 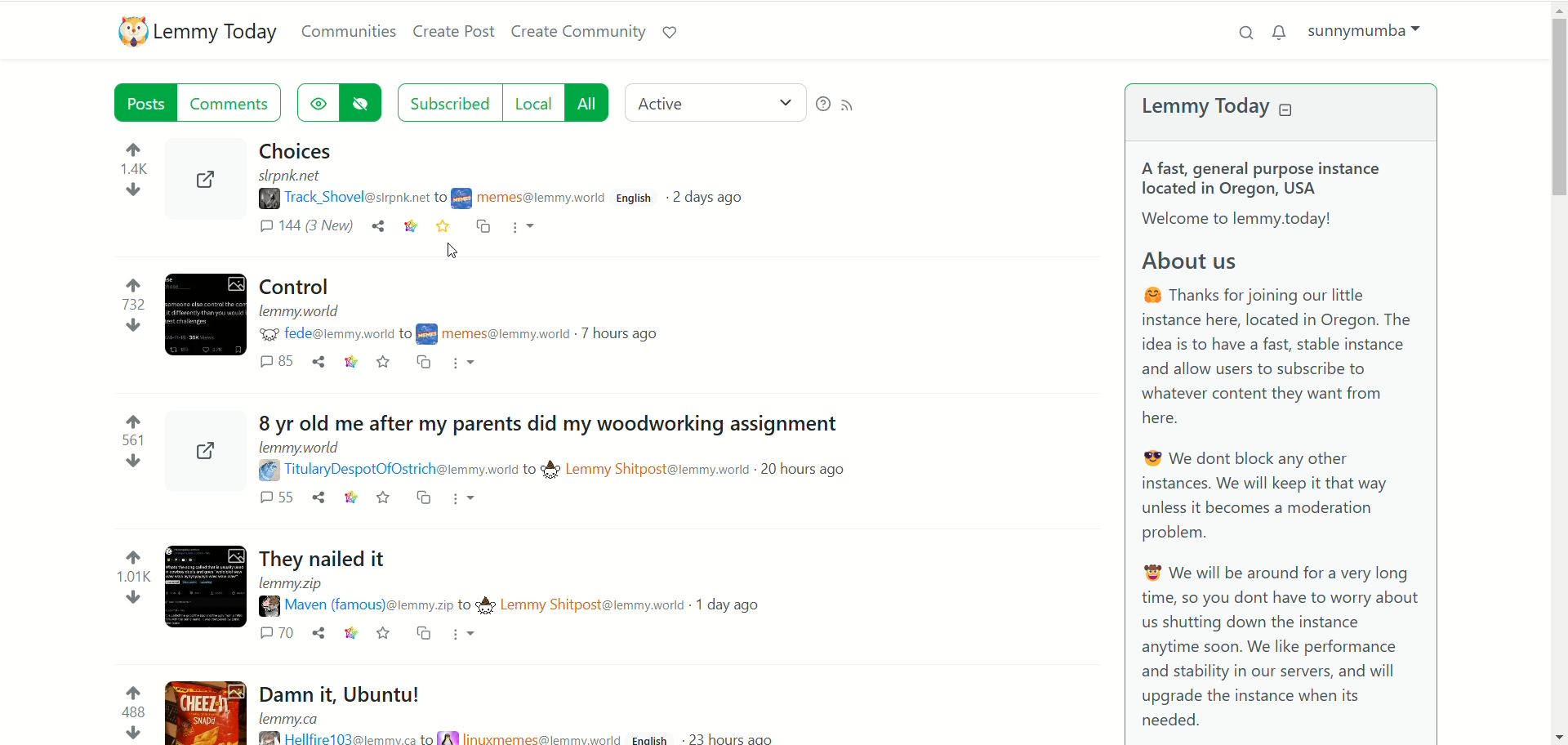 What do you see at coordinates (318, 635) in the screenshot?
I see `share` at bounding box center [318, 635].